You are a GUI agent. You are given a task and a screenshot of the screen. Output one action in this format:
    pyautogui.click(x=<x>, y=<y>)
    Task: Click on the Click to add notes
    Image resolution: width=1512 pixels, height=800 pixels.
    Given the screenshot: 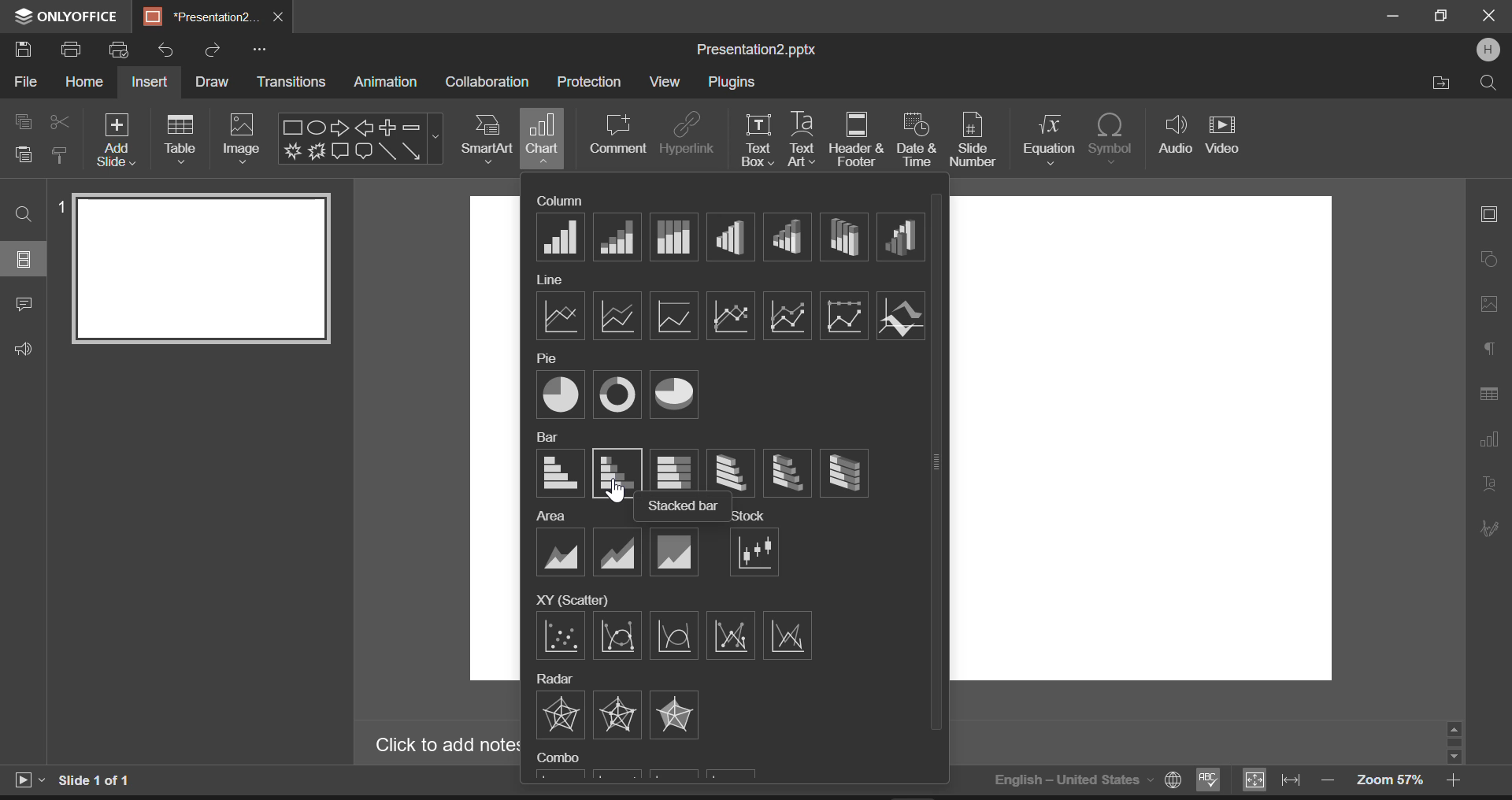 What is the action you would take?
    pyautogui.click(x=441, y=745)
    